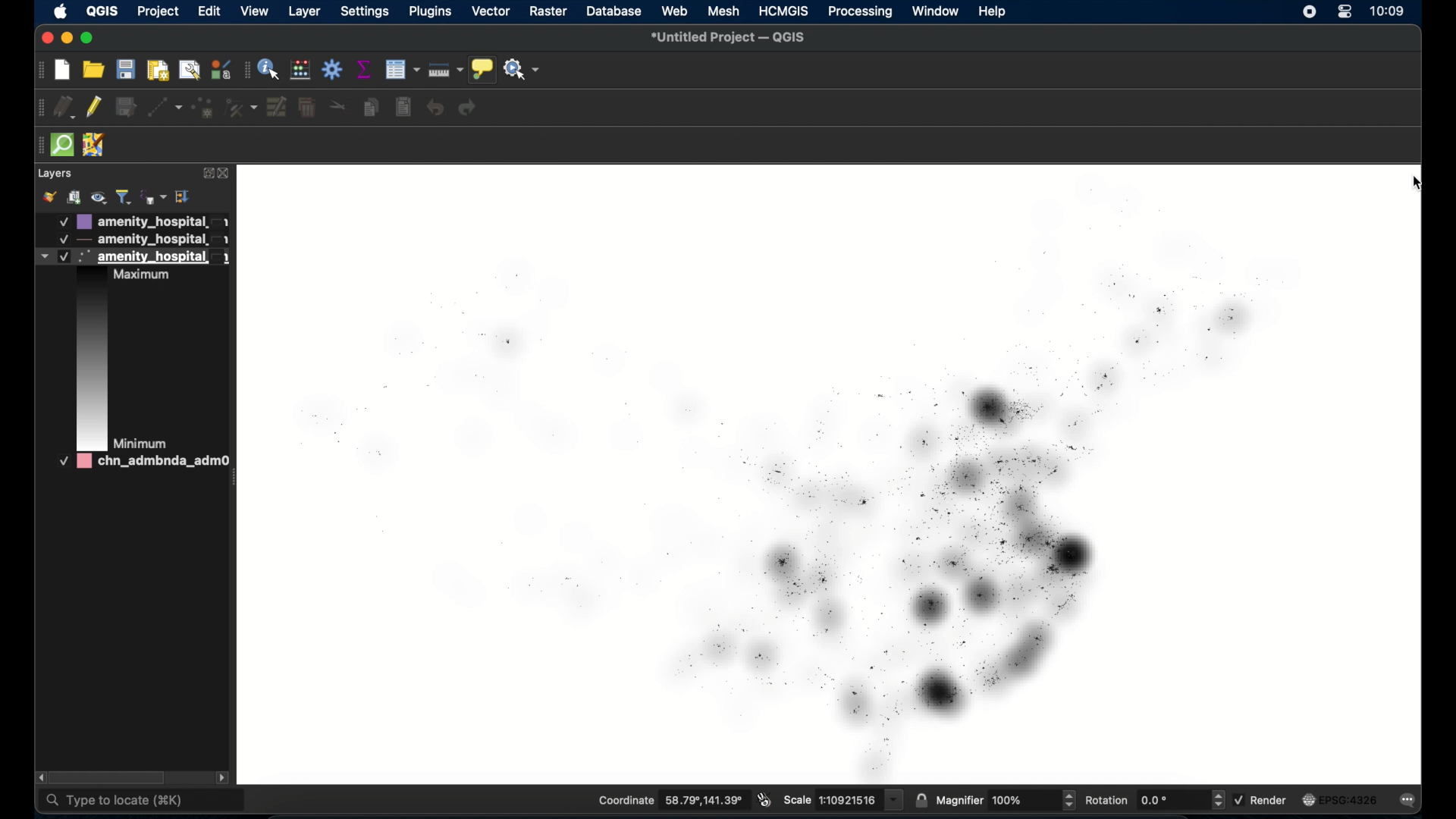 This screenshot has height=819, width=1456. What do you see at coordinates (205, 108) in the screenshot?
I see `add point feature` at bounding box center [205, 108].